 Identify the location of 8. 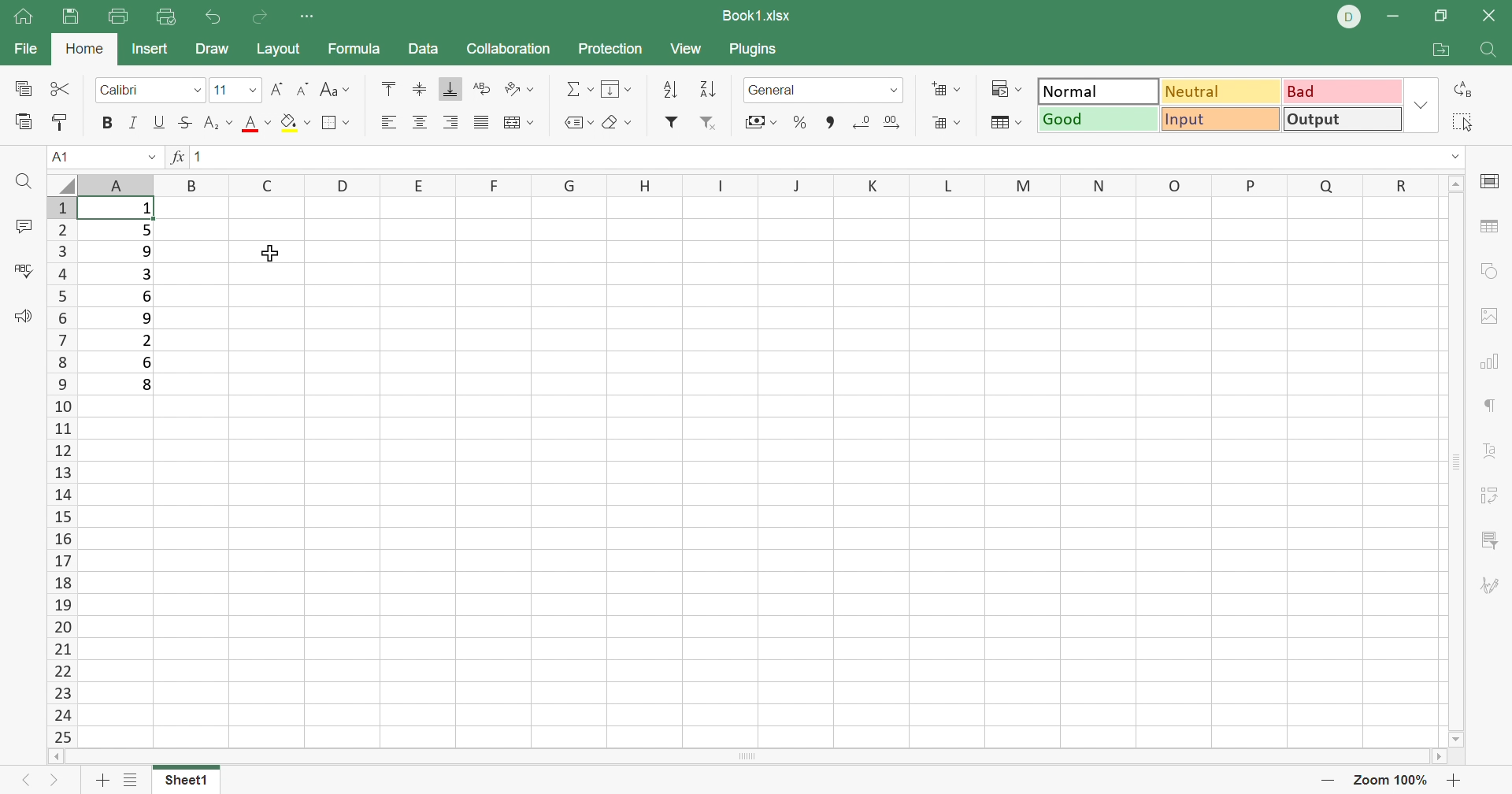
(150, 386).